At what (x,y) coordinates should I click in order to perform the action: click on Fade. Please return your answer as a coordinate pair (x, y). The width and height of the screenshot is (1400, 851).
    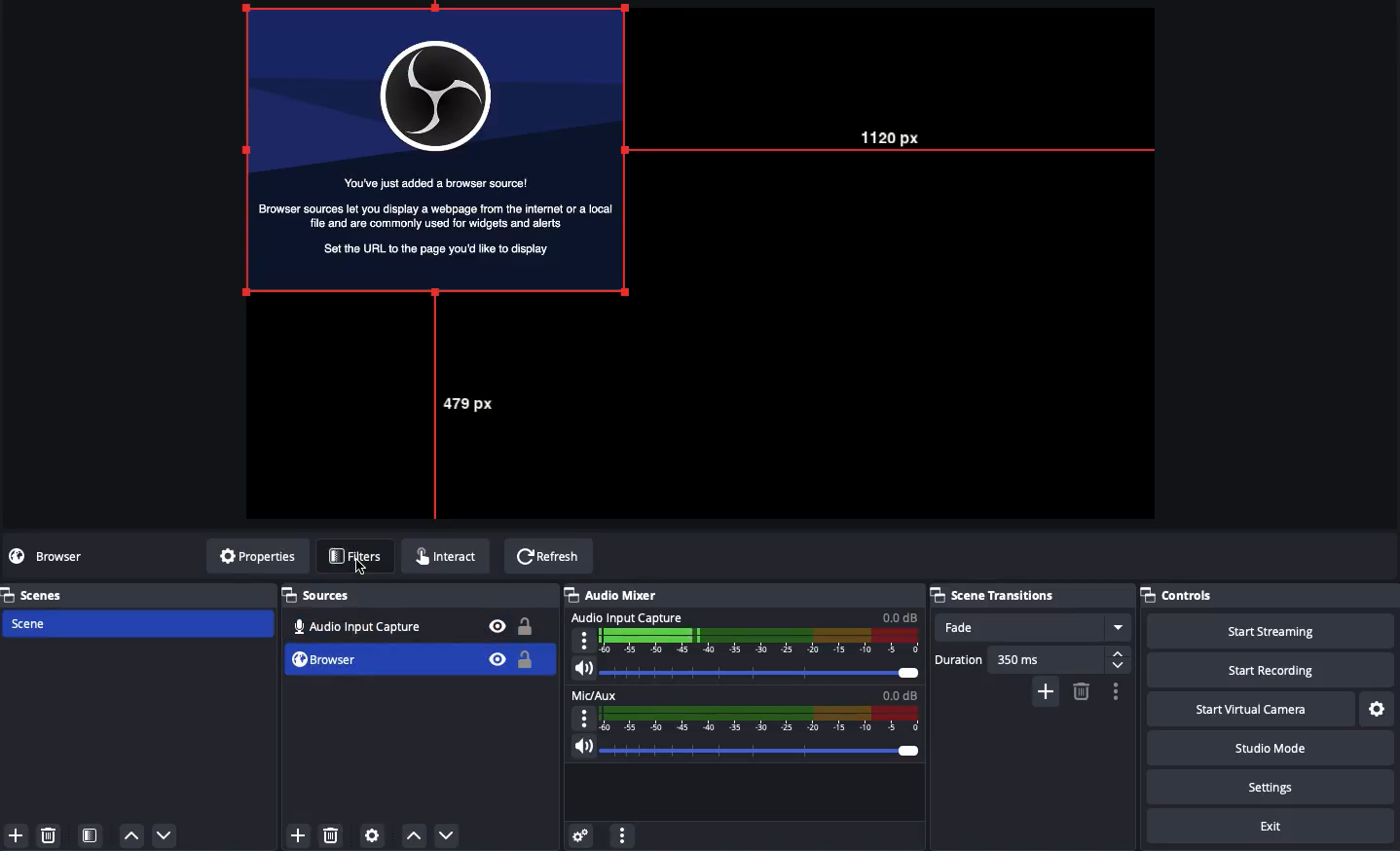
    Looking at the image, I should click on (1033, 627).